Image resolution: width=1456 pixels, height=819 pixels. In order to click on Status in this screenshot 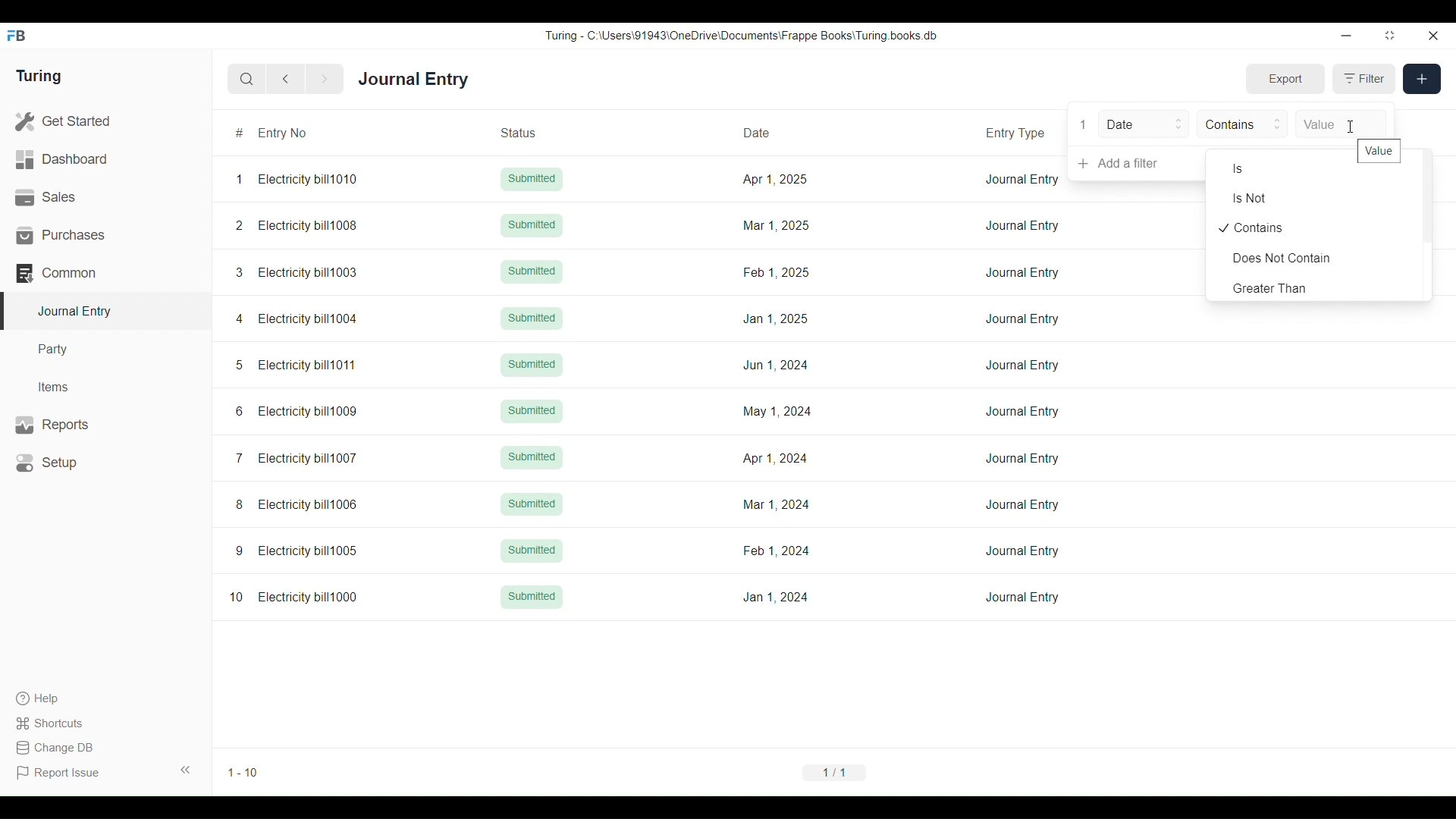, I will do `click(536, 132)`.